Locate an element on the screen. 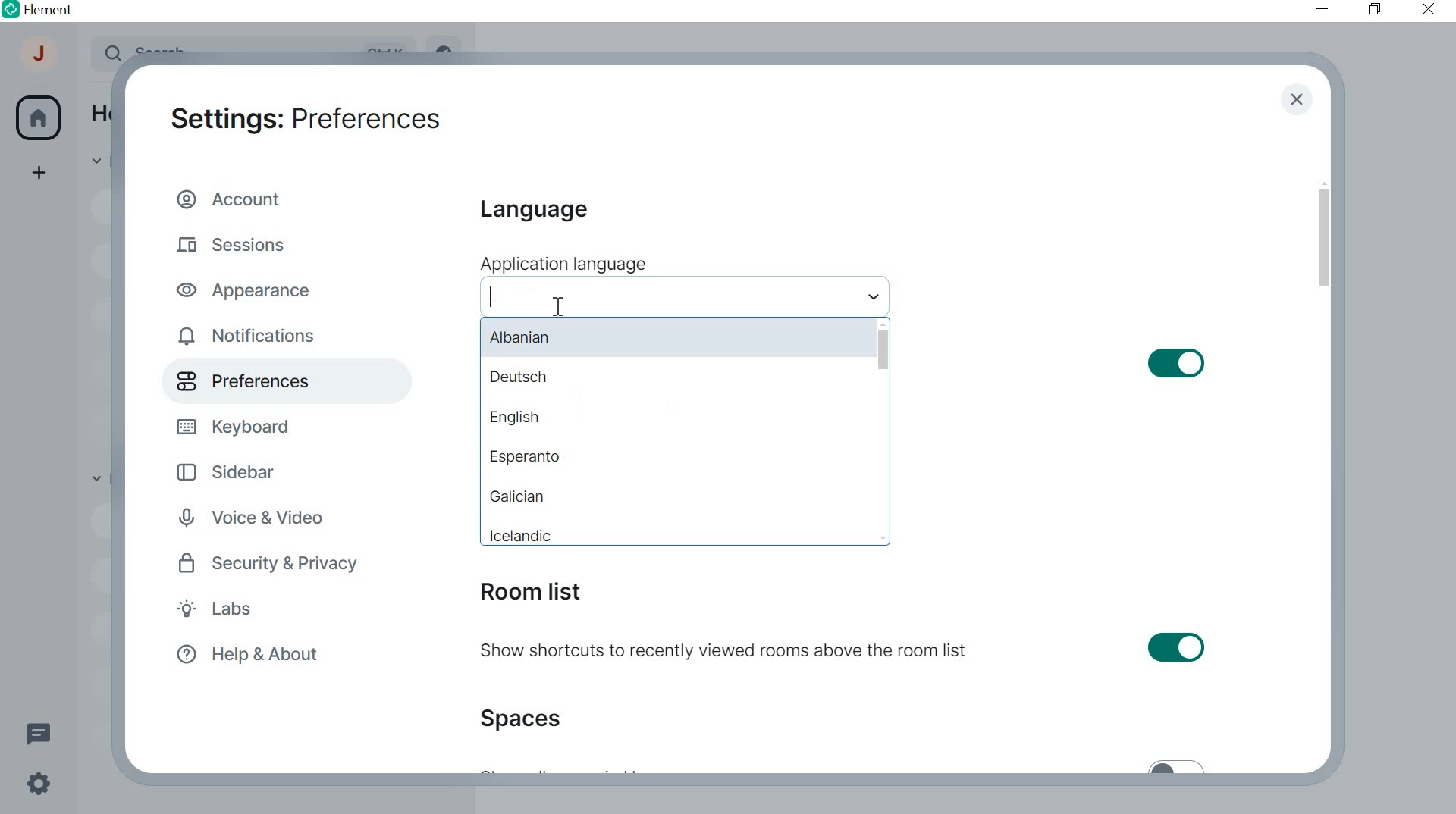 The height and width of the screenshot is (814, 1456). Allow spell check is located at coordinates (1059, 363).